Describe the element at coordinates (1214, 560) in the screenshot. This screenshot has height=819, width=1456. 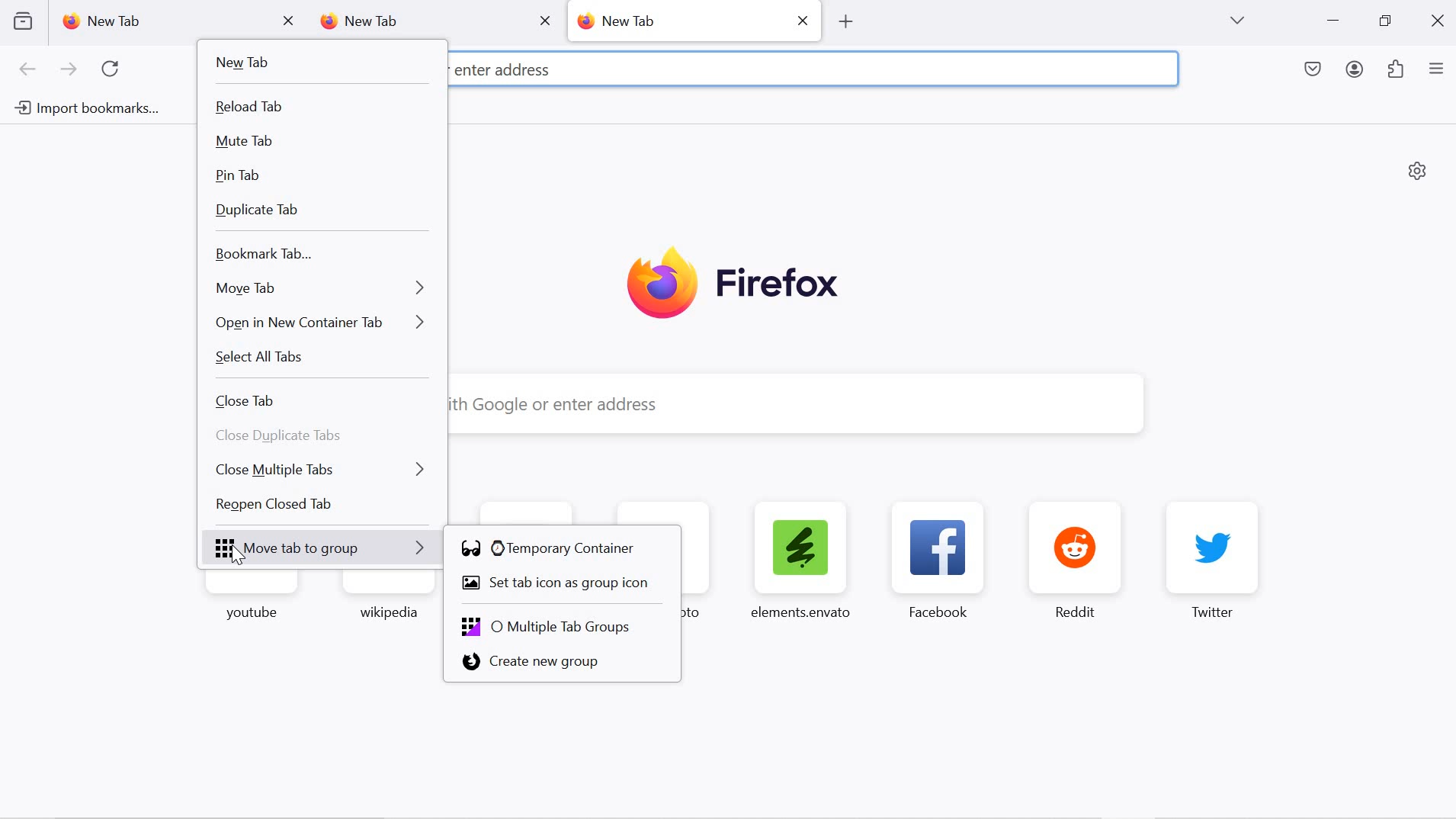
I see `twitter favorite` at that location.